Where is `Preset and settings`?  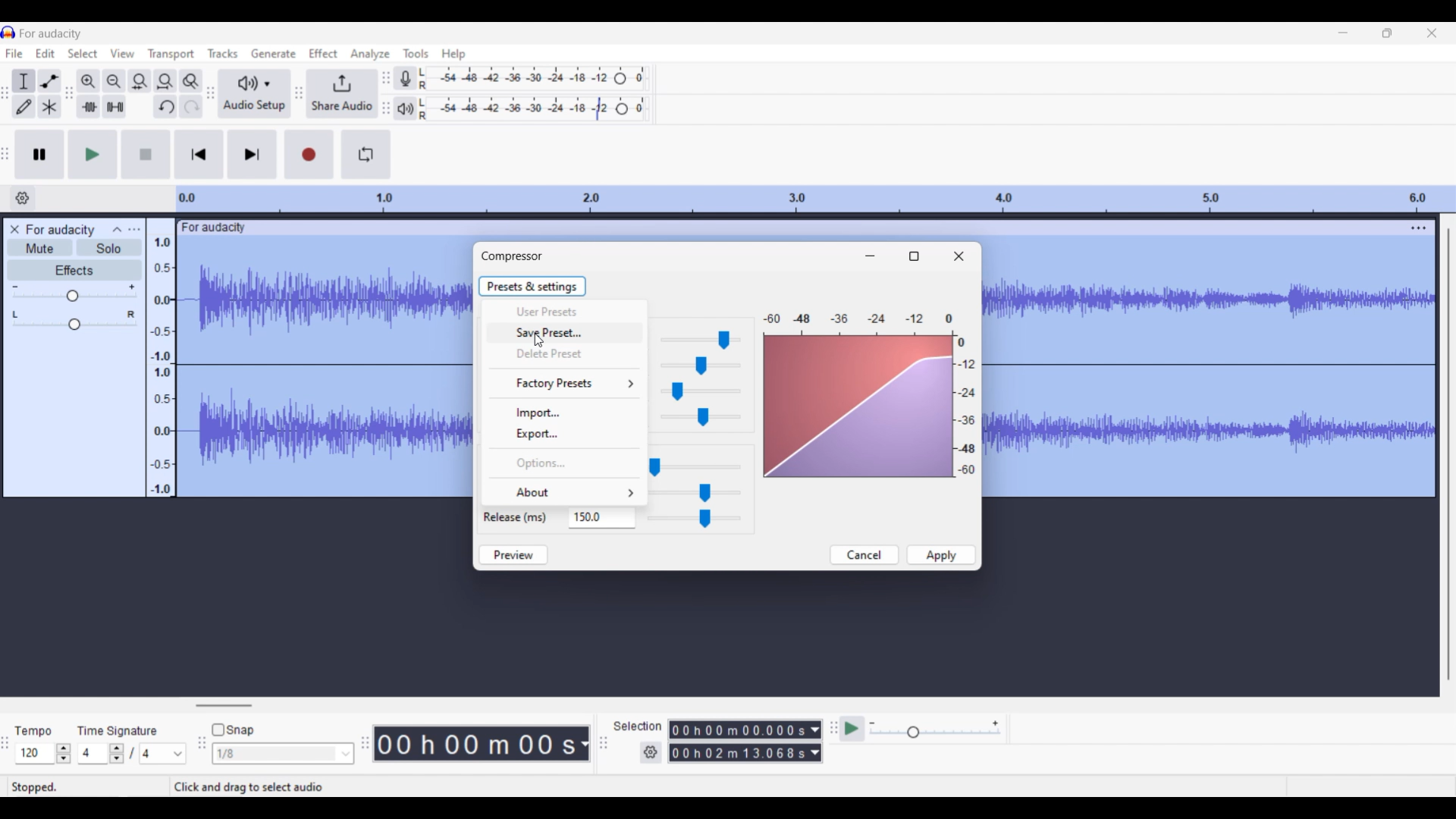 Preset and settings is located at coordinates (533, 286).